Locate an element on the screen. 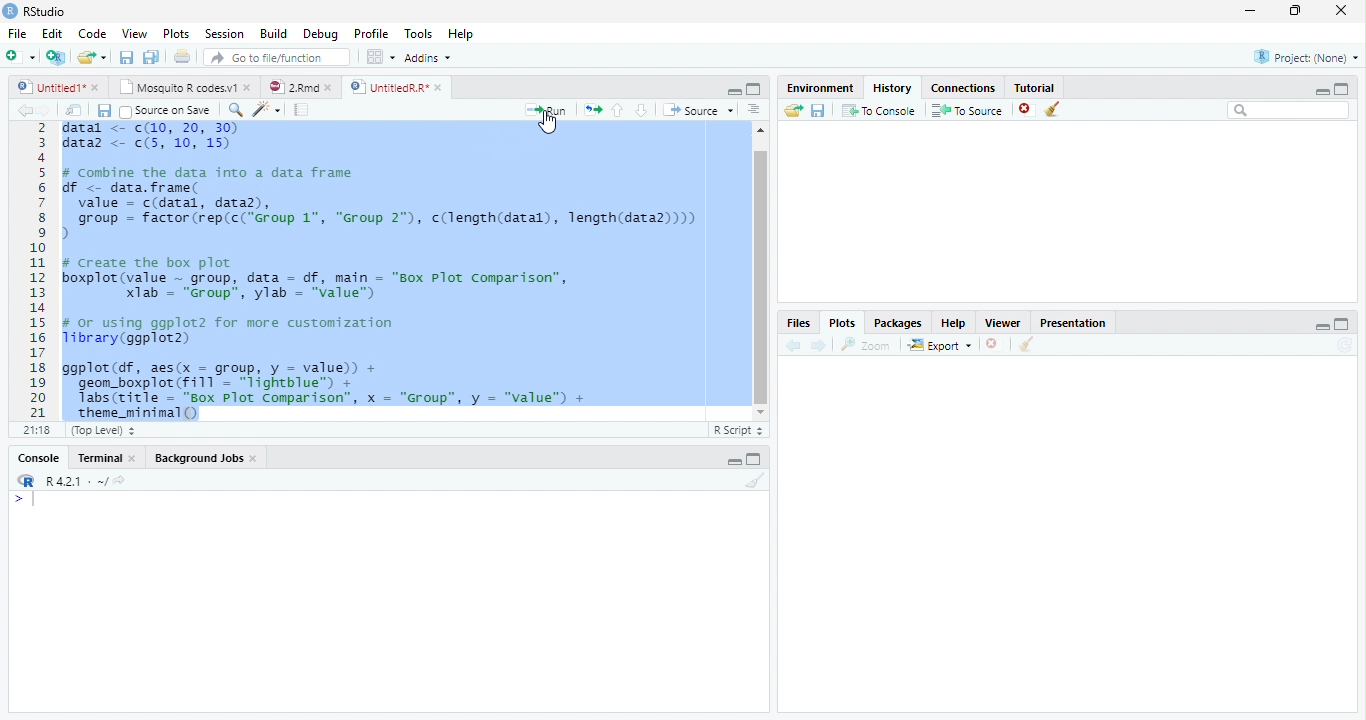  Show document outline is located at coordinates (754, 109).